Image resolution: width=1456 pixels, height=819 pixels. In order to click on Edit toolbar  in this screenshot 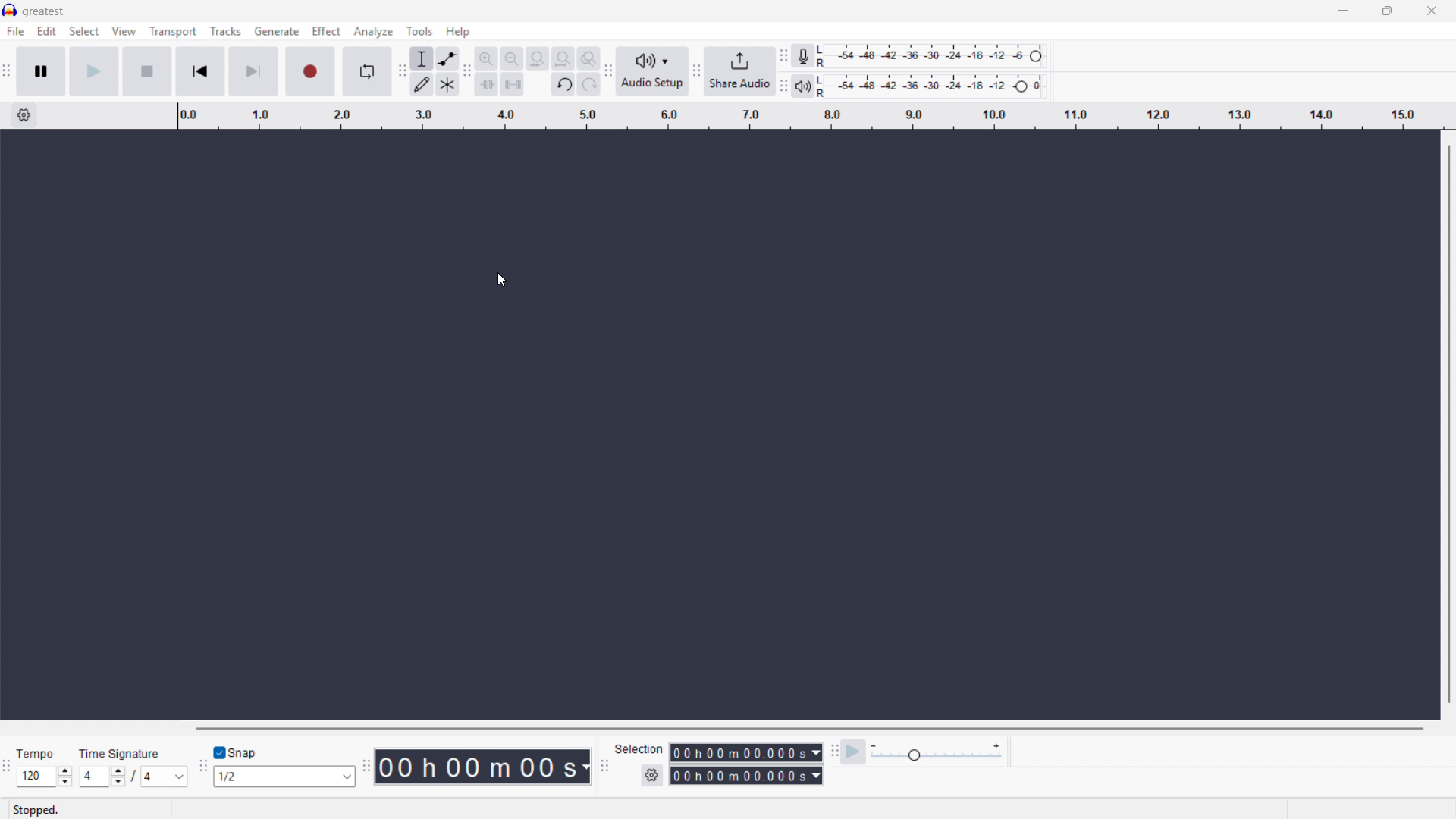, I will do `click(469, 73)`.